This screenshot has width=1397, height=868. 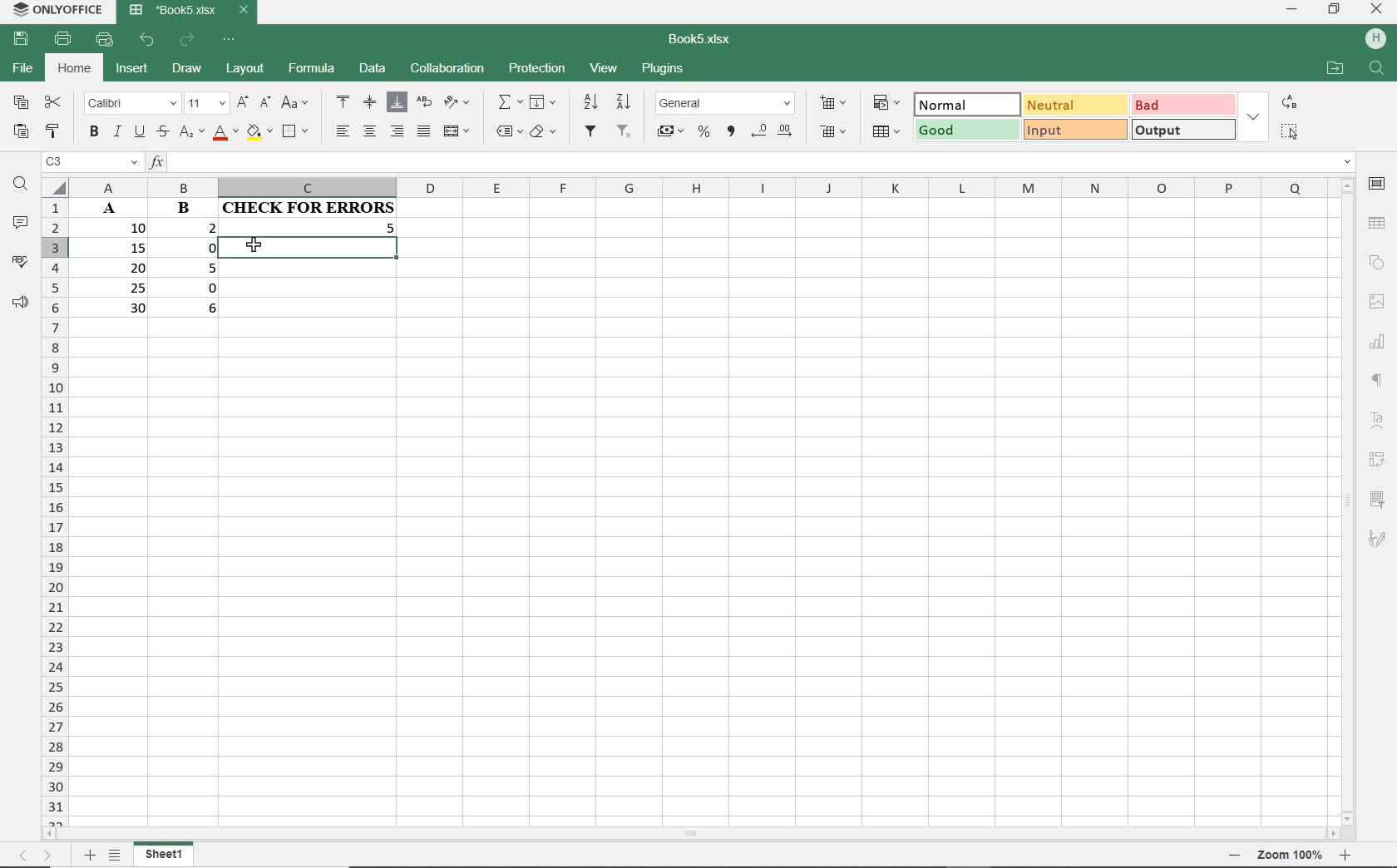 I want to click on ALIGN MIDDLE, so click(x=370, y=104).